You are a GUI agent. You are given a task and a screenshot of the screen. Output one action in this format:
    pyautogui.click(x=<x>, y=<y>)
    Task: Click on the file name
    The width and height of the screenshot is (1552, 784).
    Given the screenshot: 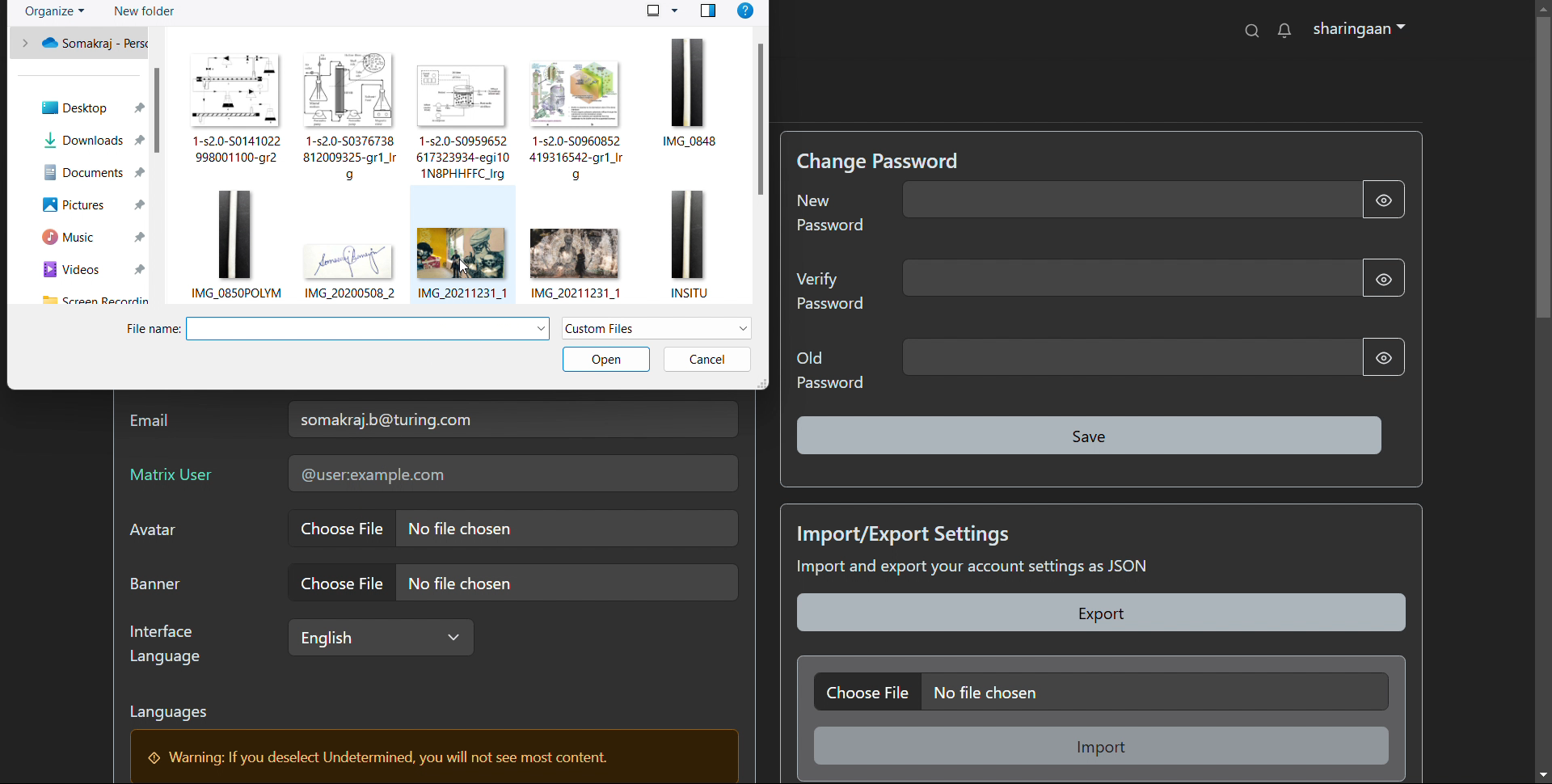 What is the action you would take?
    pyautogui.click(x=335, y=329)
    